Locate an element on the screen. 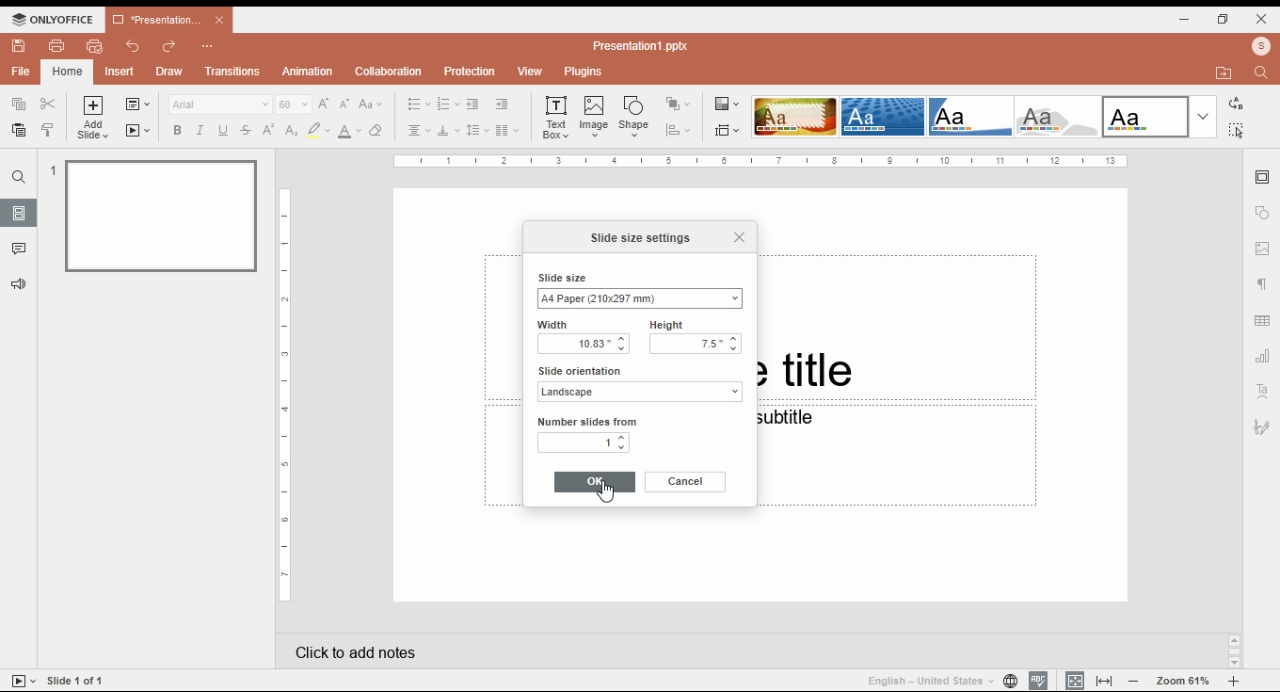  image settings is located at coordinates (1263, 250).